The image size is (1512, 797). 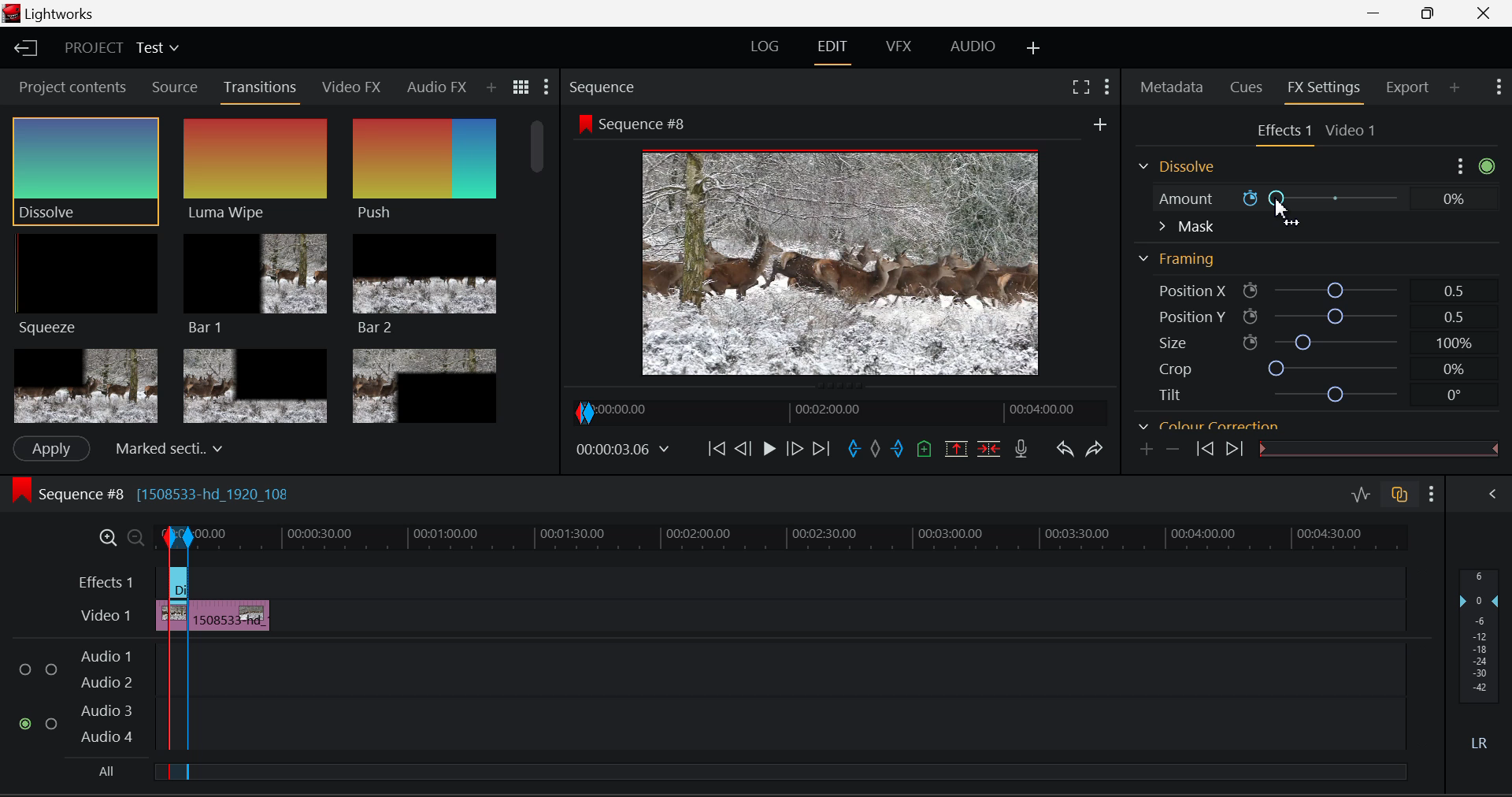 I want to click on Effect Inserted, so click(x=178, y=587).